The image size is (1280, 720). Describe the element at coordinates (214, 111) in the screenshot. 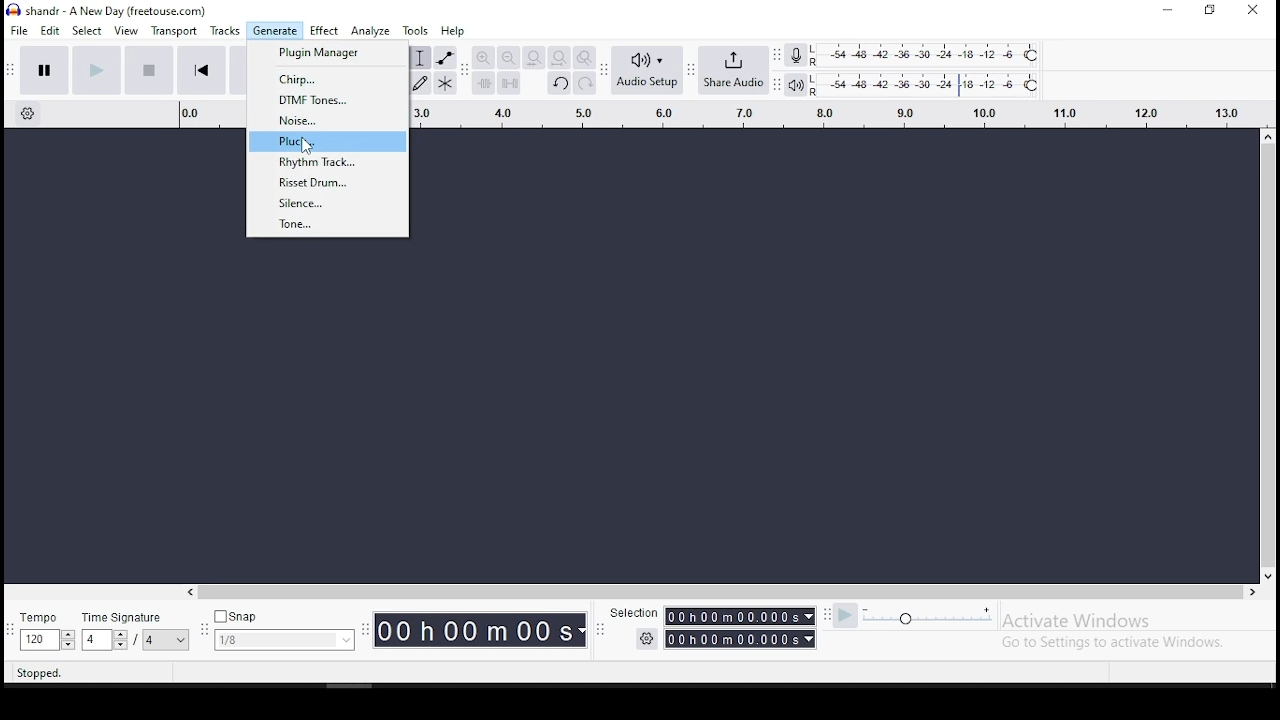

I see `timeline` at that location.